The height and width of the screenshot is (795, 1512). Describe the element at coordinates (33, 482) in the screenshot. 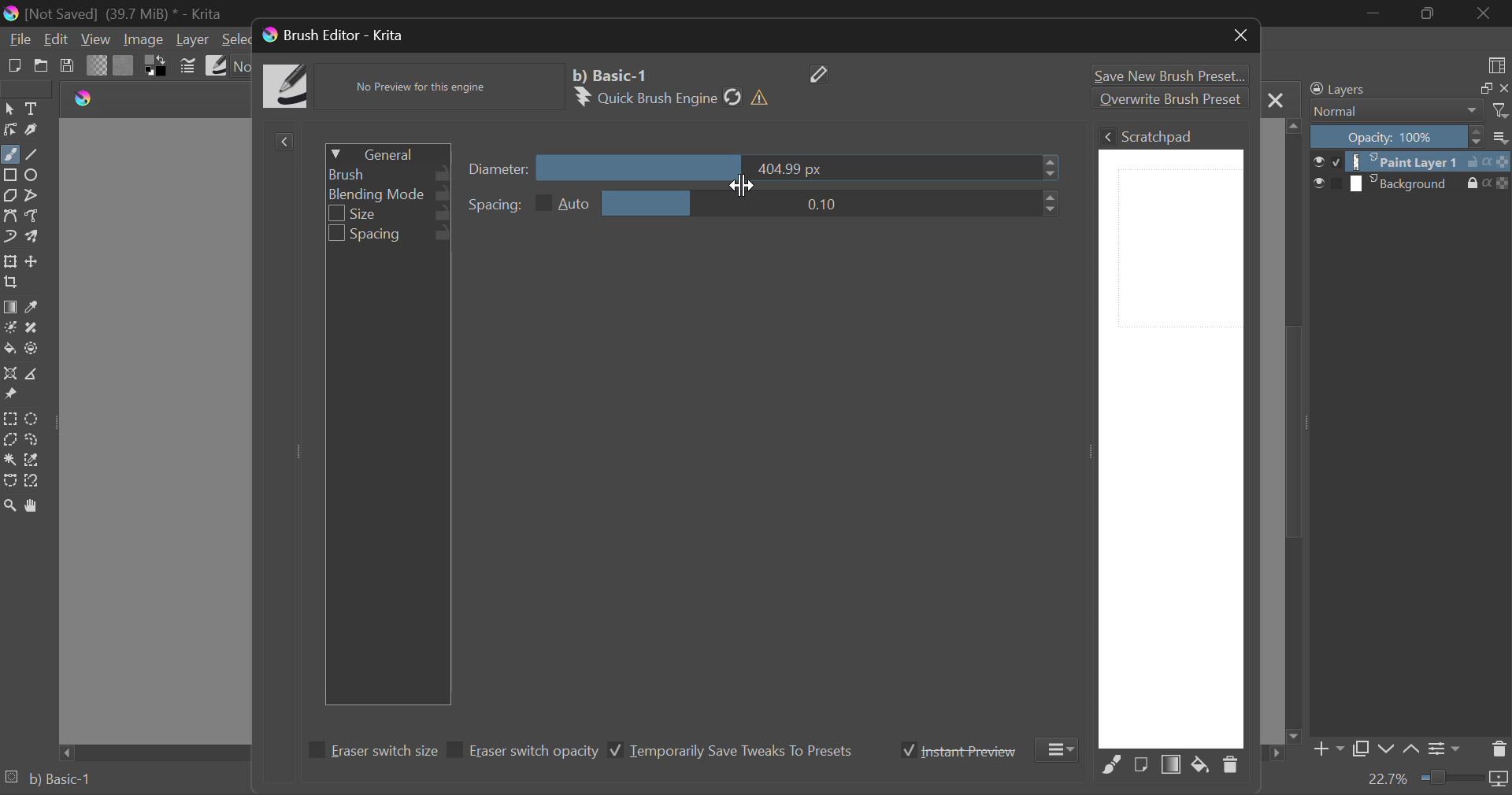

I see `Magnetic Selection` at that location.